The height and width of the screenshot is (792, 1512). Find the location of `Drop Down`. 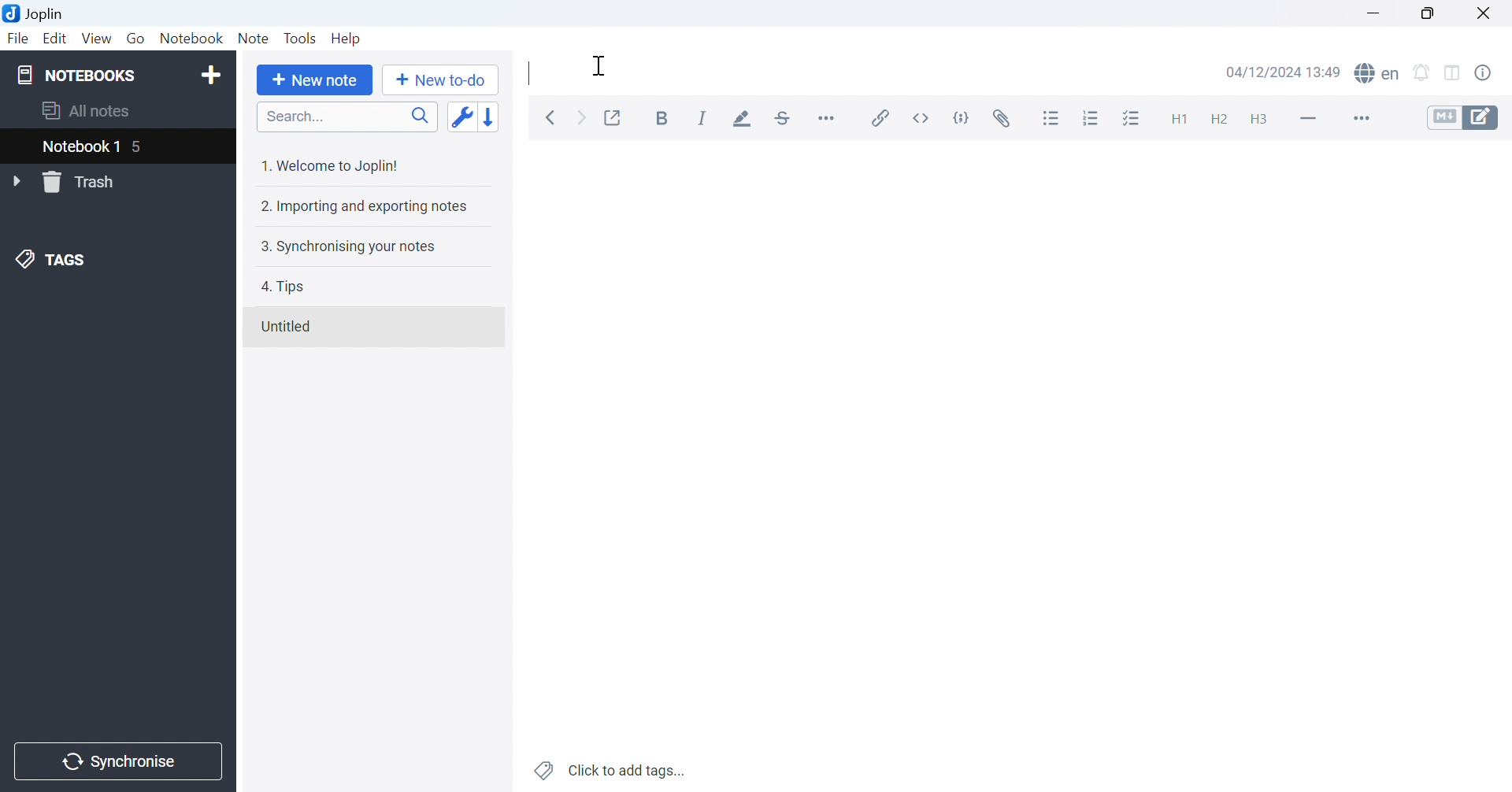

Drop Down is located at coordinates (18, 182).